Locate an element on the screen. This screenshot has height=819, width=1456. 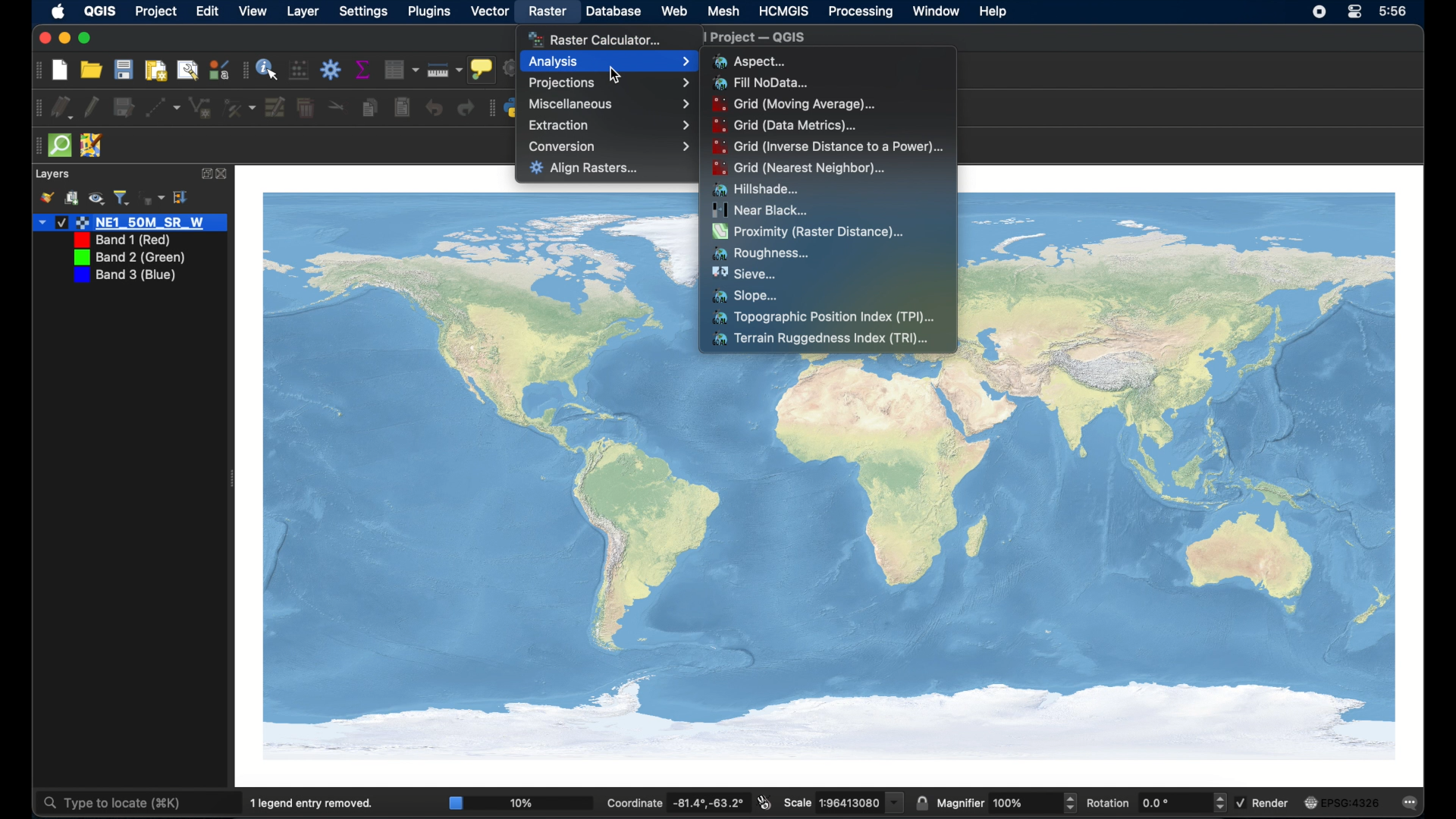
redo is located at coordinates (465, 108).